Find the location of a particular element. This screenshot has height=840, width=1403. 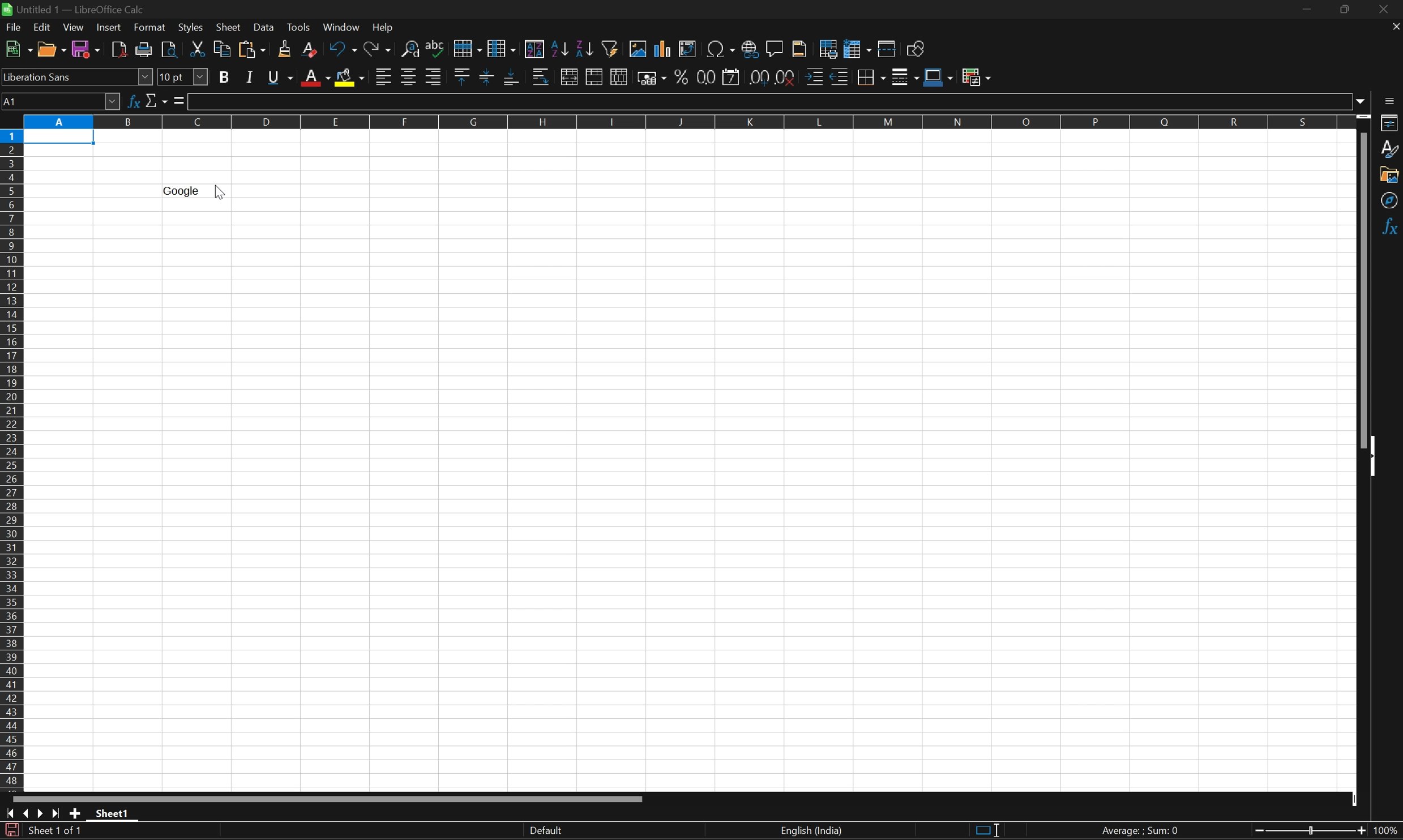

Clear direct formatting is located at coordinates (311, 51).